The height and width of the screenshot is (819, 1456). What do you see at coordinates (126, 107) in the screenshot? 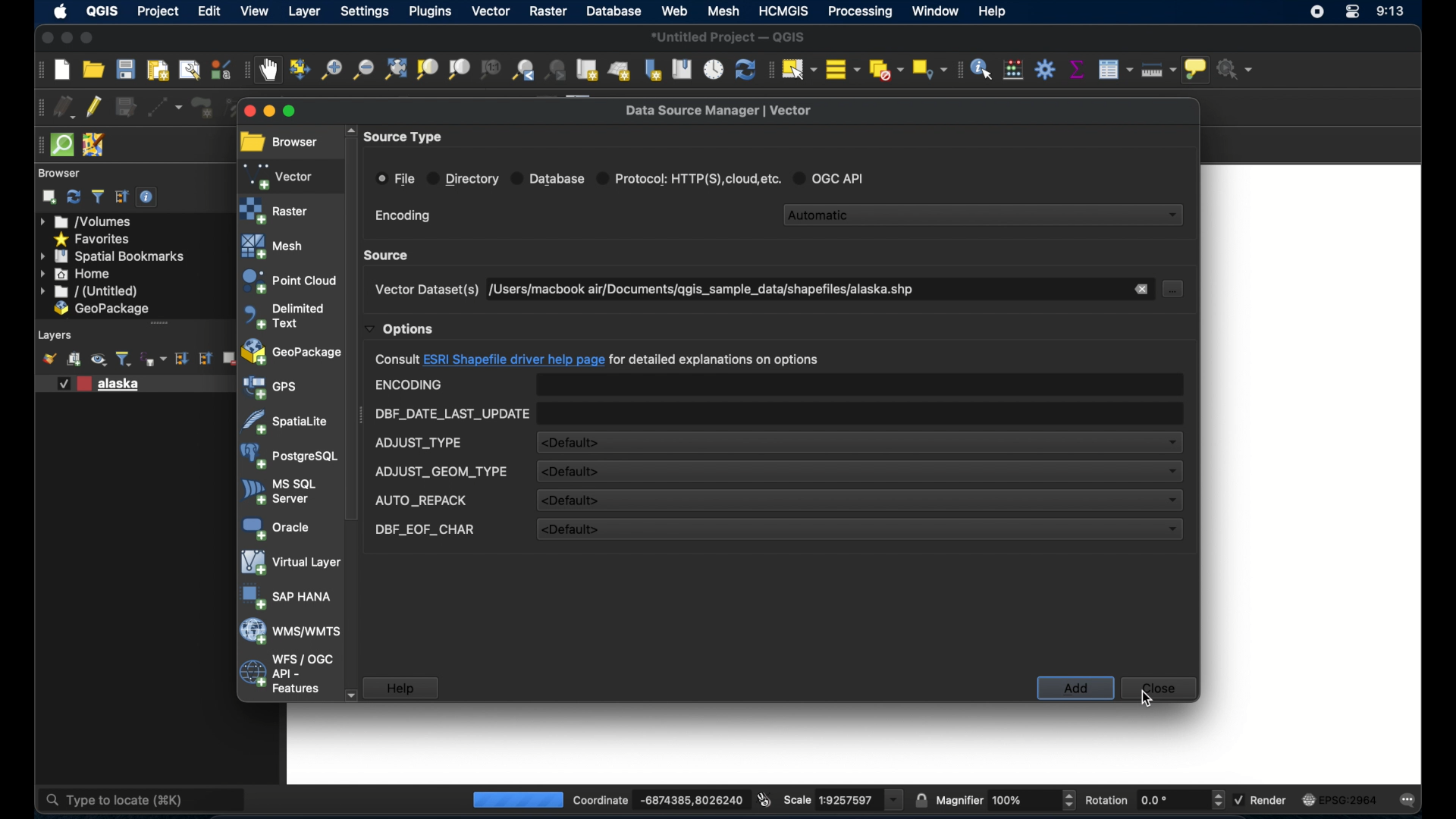
I see `save edits` at bounding box center [126, 107].